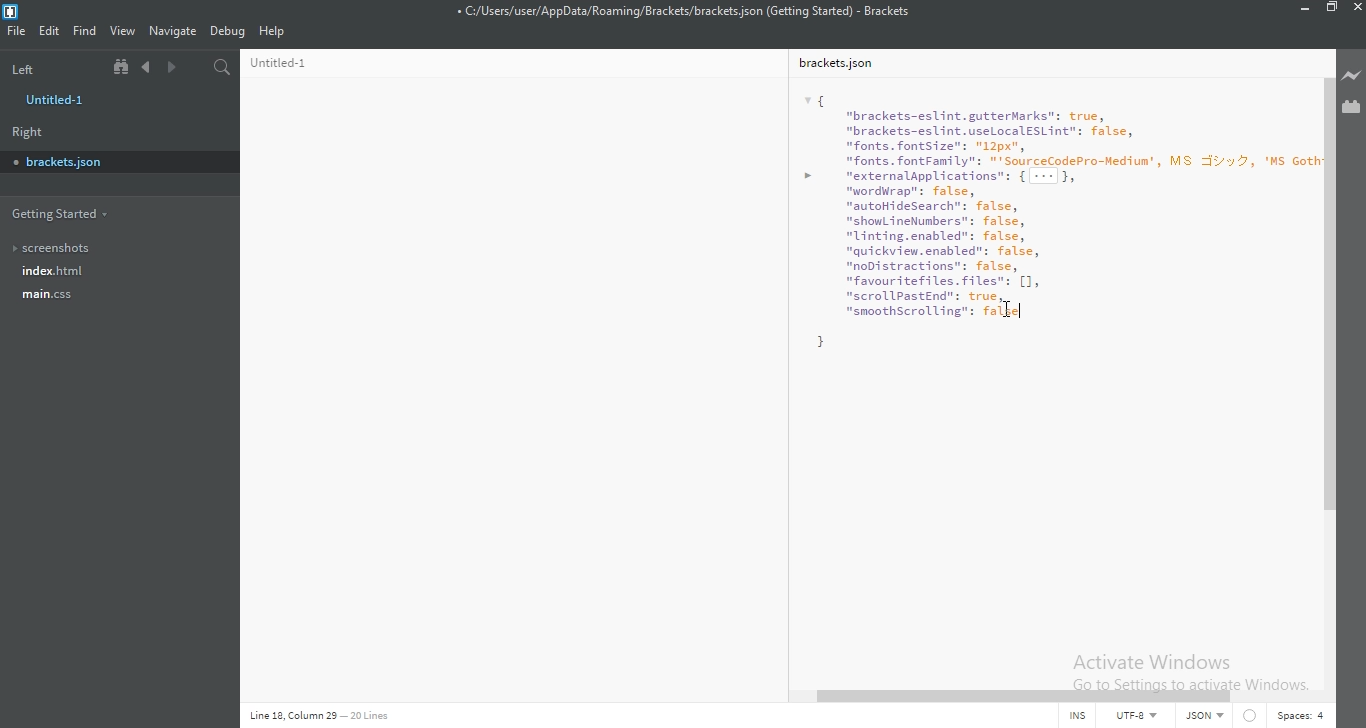 Image resolution: width=1366 pixels, height=728 pixels. I want to click on Show file tree, so click(123, 67).